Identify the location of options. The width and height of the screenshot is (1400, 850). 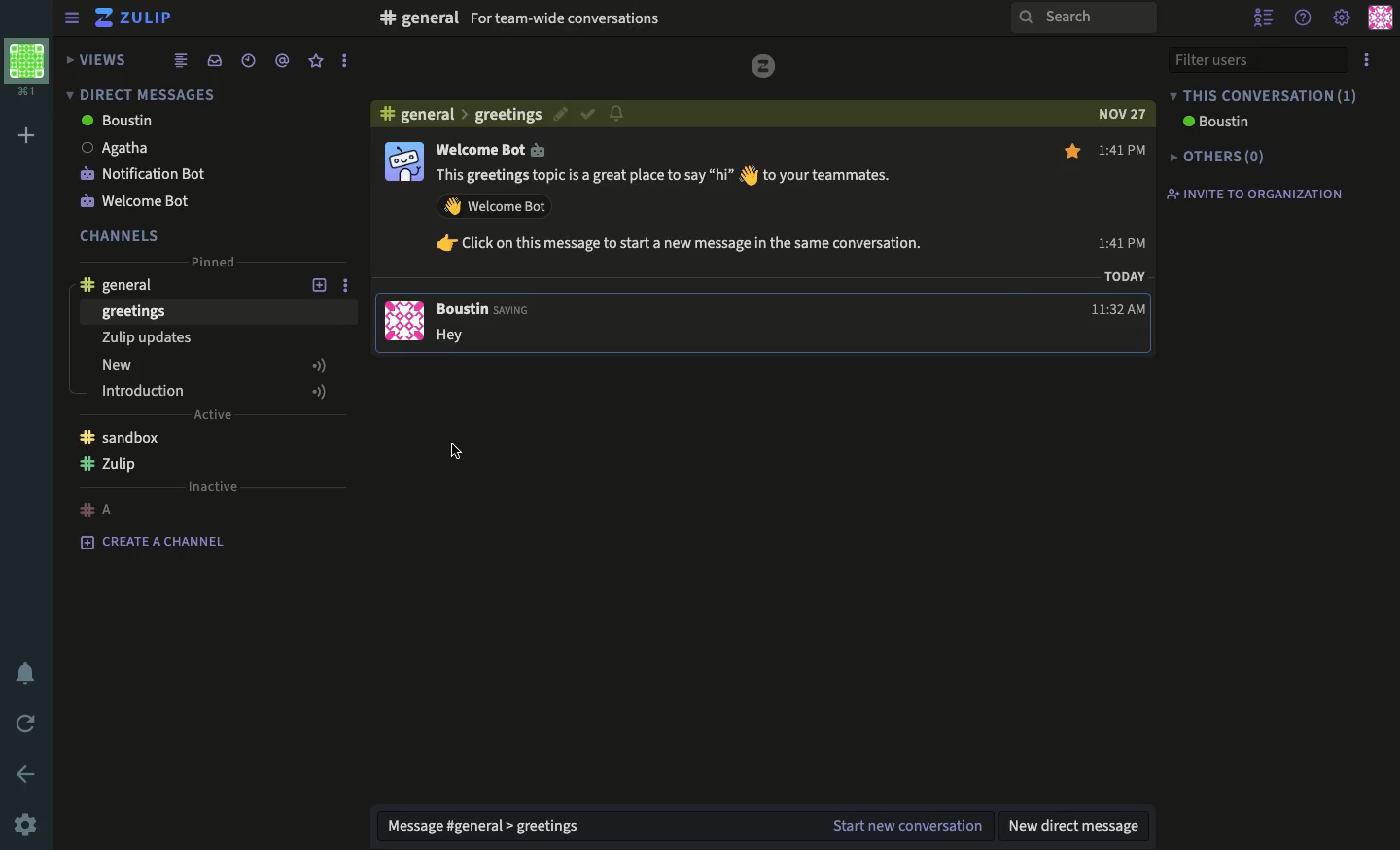
(345, 61).